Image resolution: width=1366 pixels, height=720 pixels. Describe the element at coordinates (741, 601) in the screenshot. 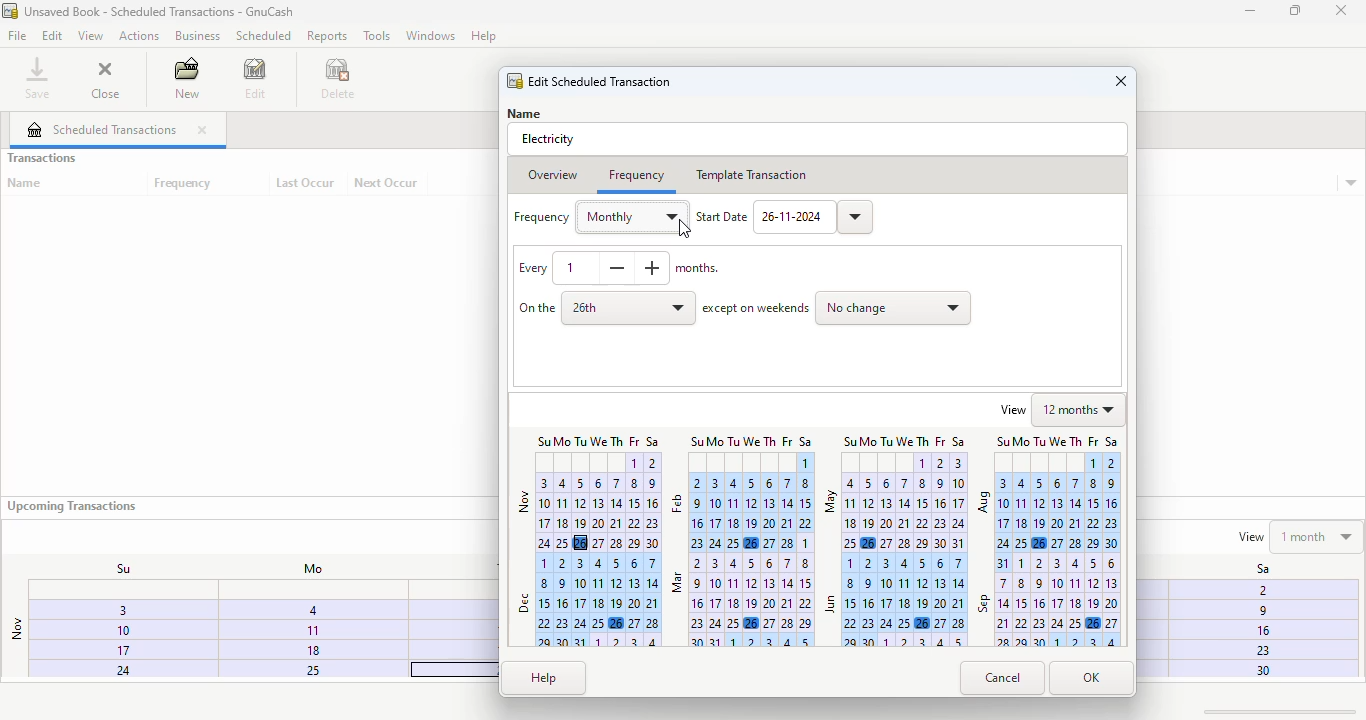

I see `march calendar` at that location.